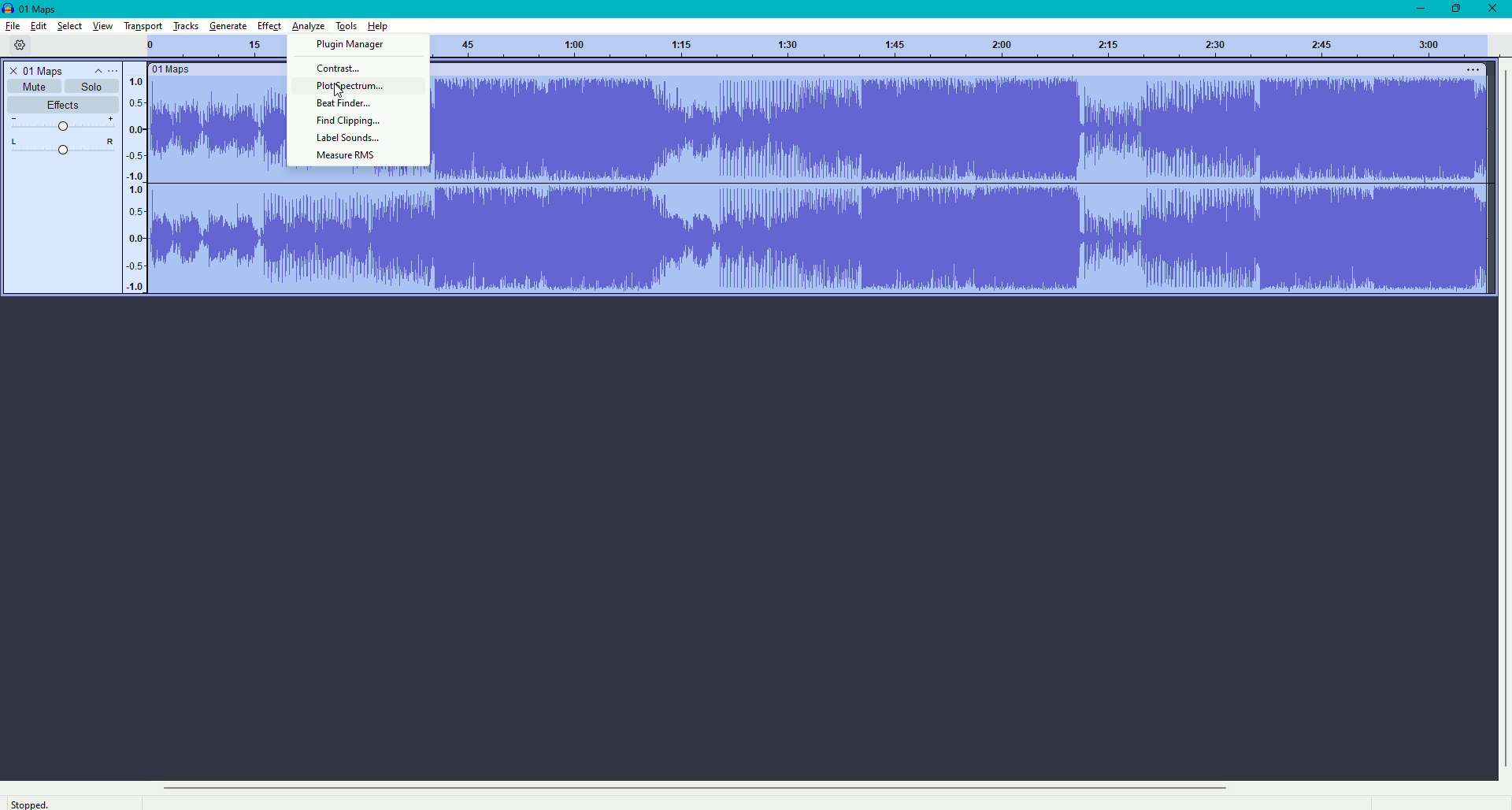  I want to click on Generate, so click(226, 26).